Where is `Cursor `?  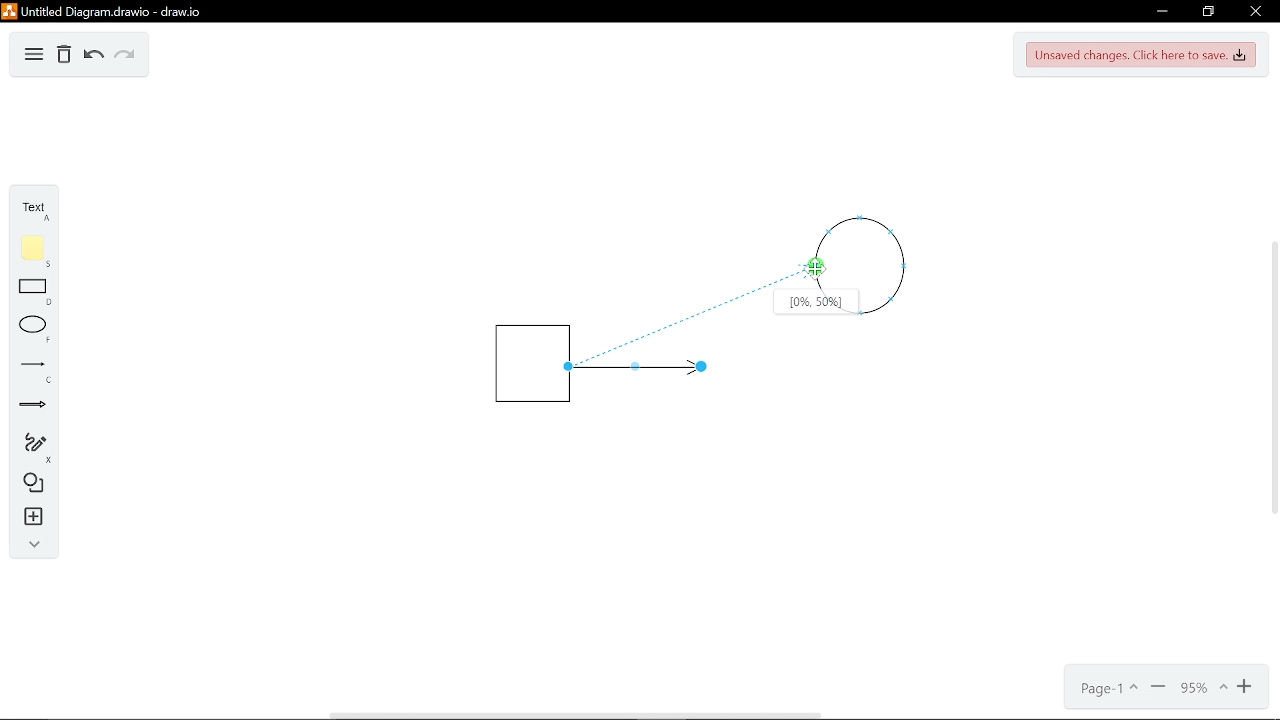
Cursor  is located at coordinates (814, 267).